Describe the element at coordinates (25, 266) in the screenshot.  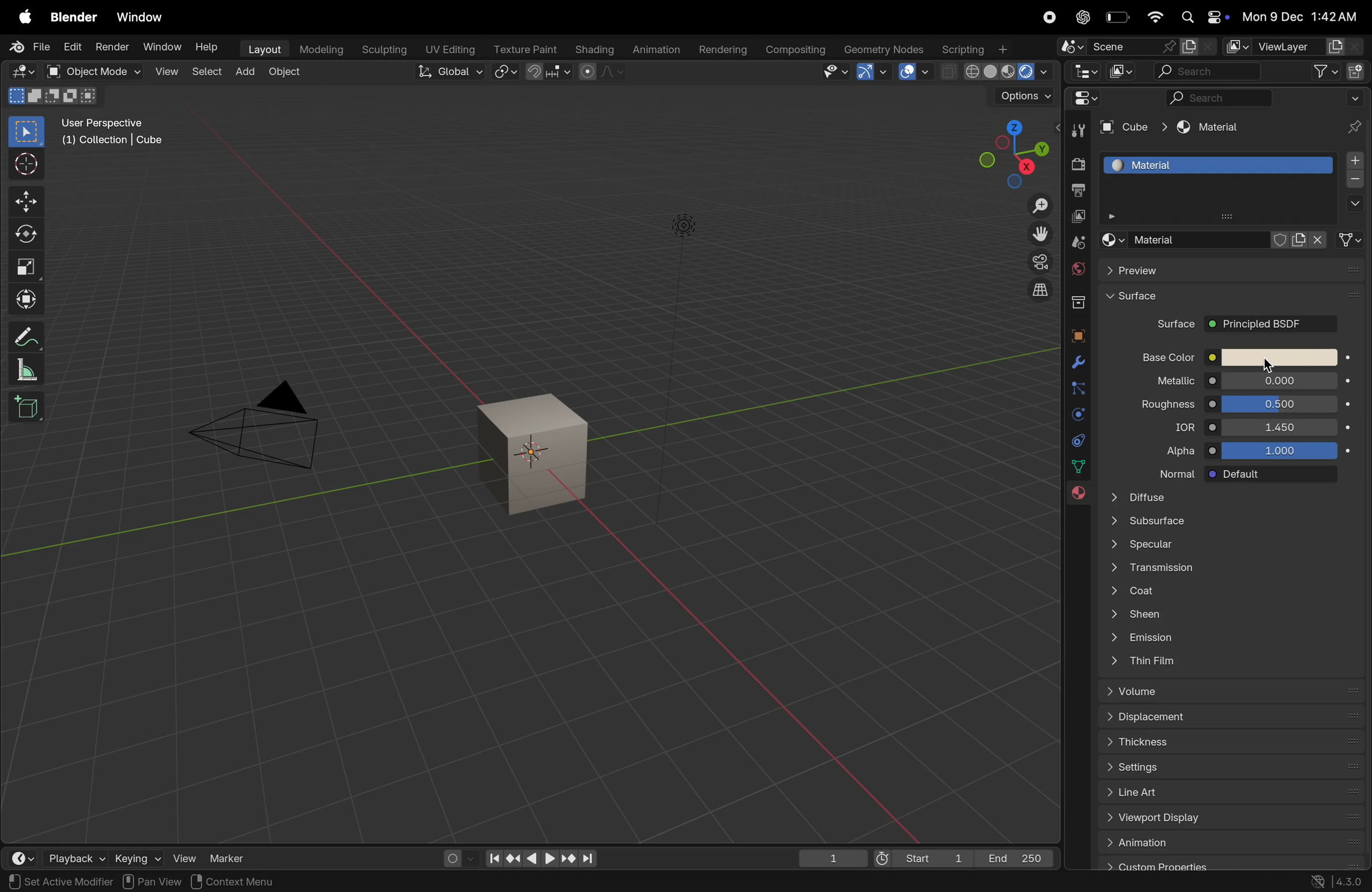
I see `scale` at that location.